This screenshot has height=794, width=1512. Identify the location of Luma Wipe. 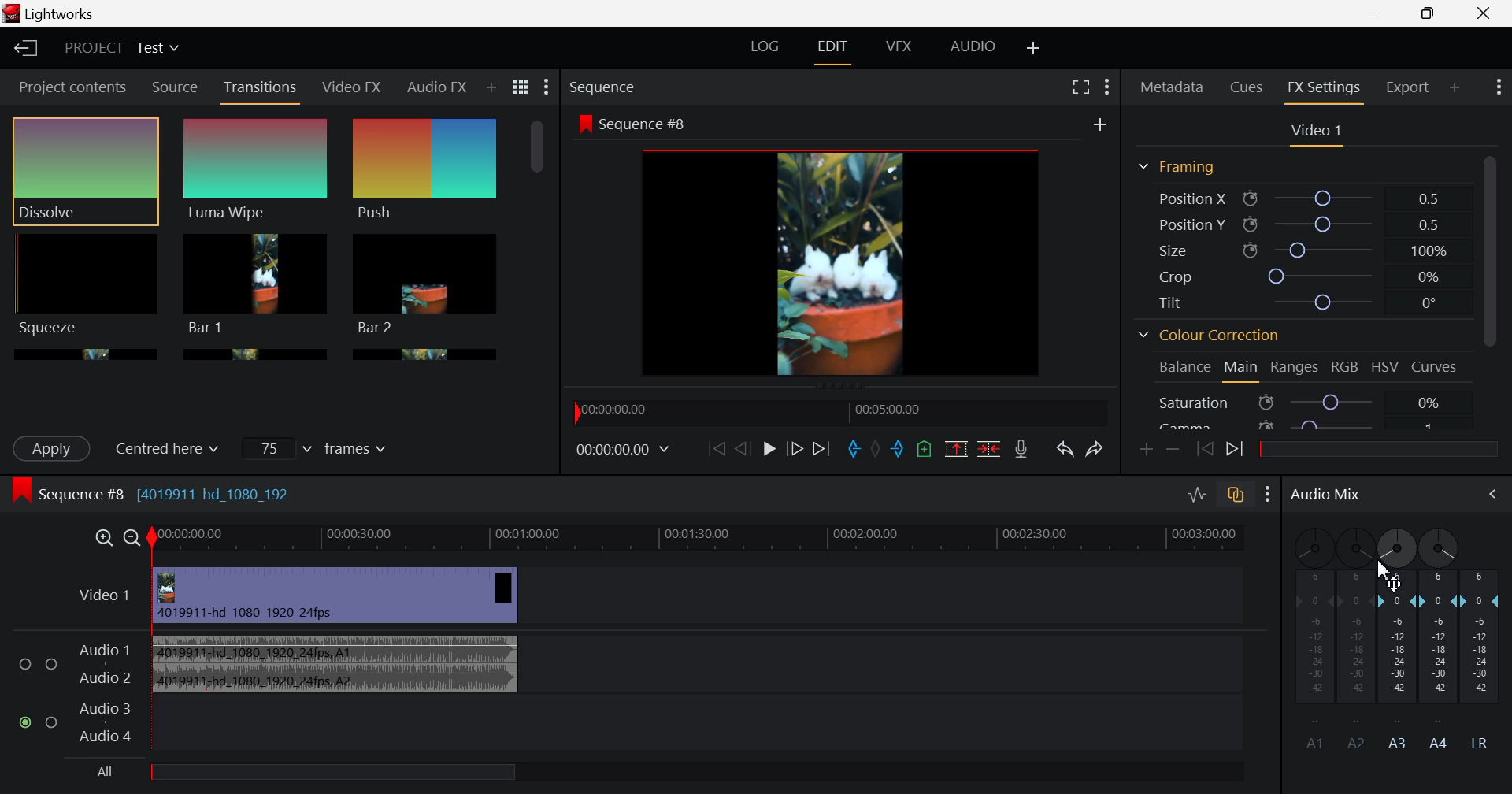
(256, 171).